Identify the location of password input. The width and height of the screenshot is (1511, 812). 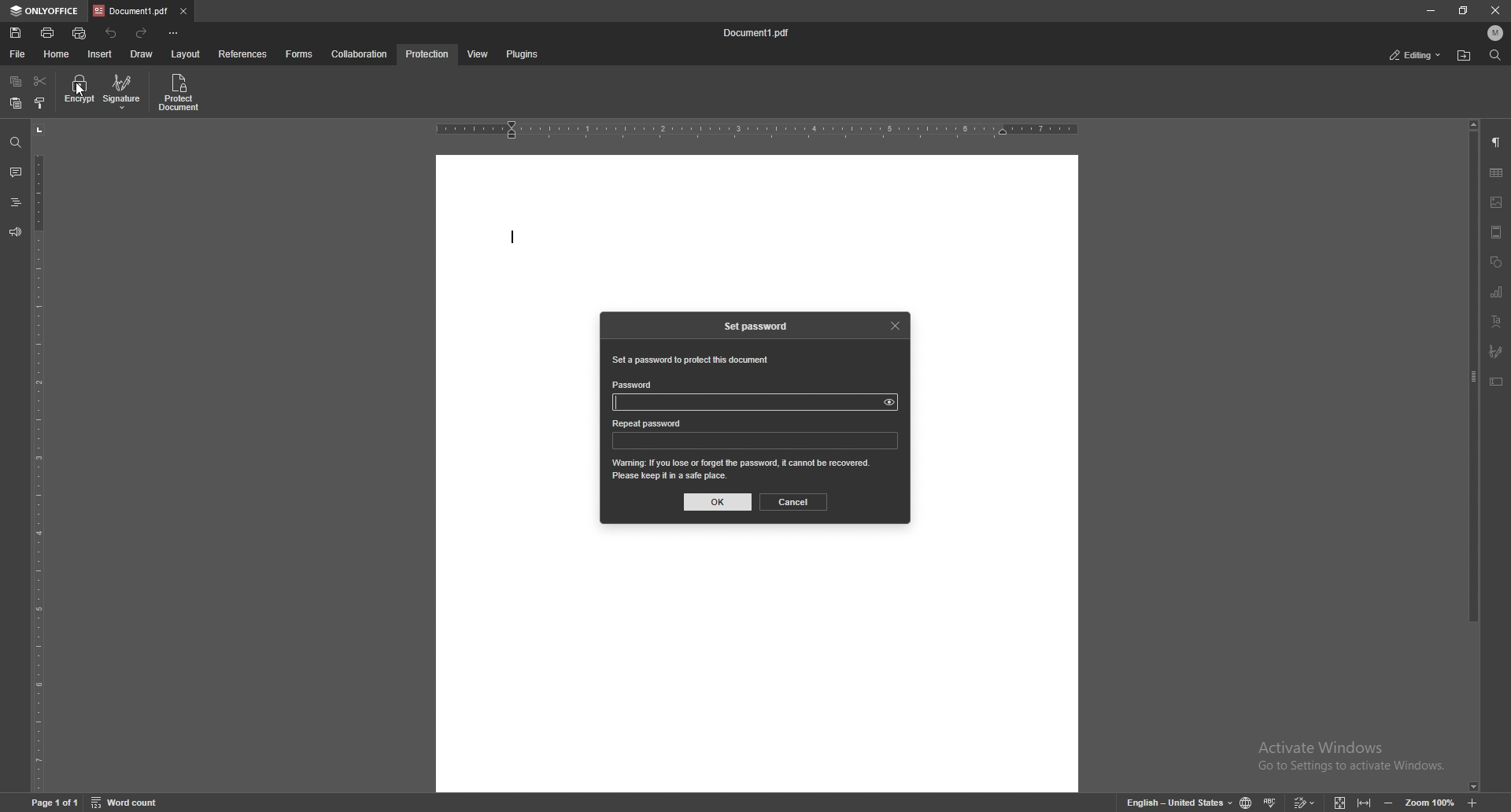
(757, 403).